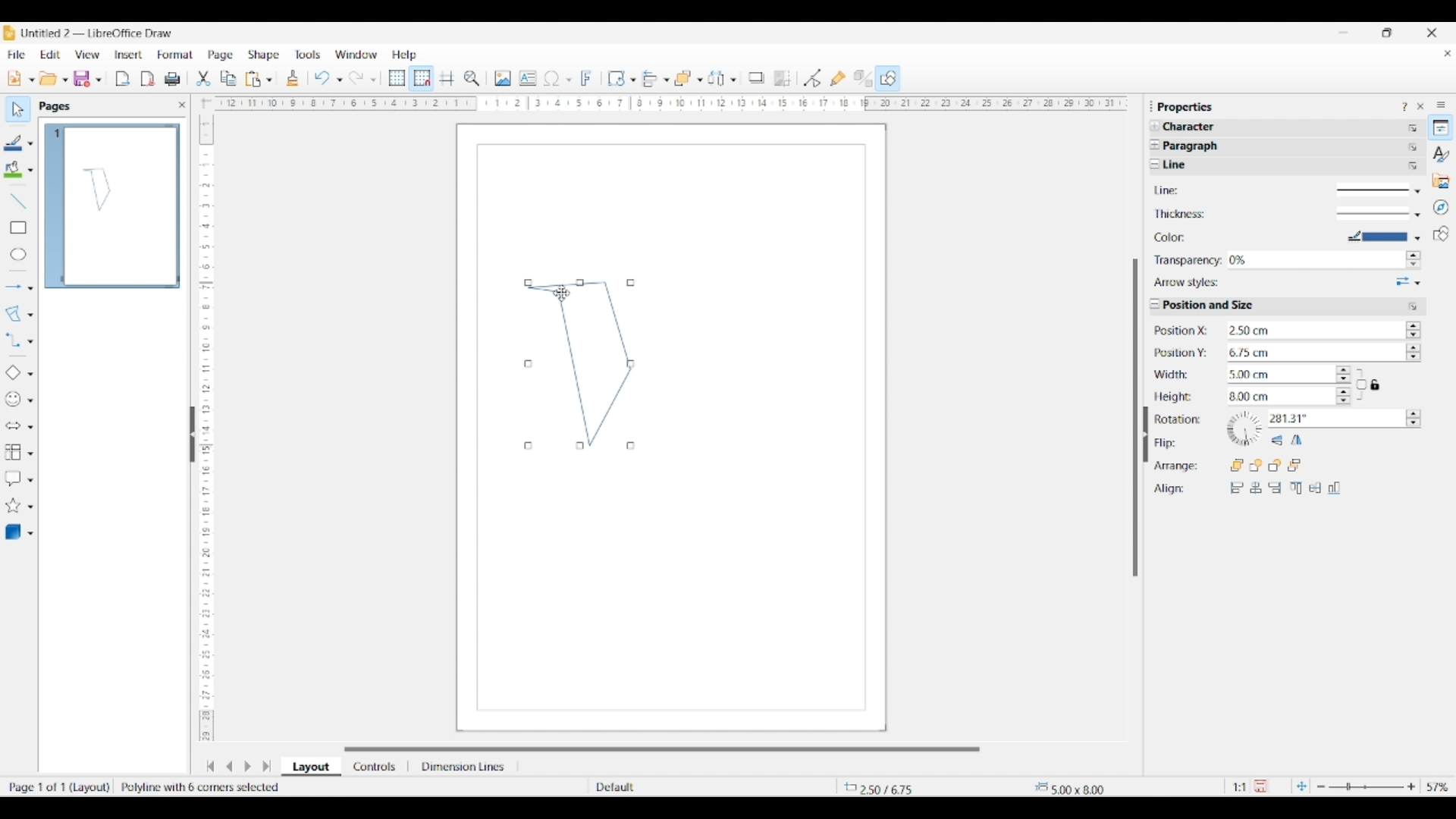 This screenshot has height=819, width=1456. Describe the element at coordinates (64, 80) in the screenshot. I see `Open document options` at that location.